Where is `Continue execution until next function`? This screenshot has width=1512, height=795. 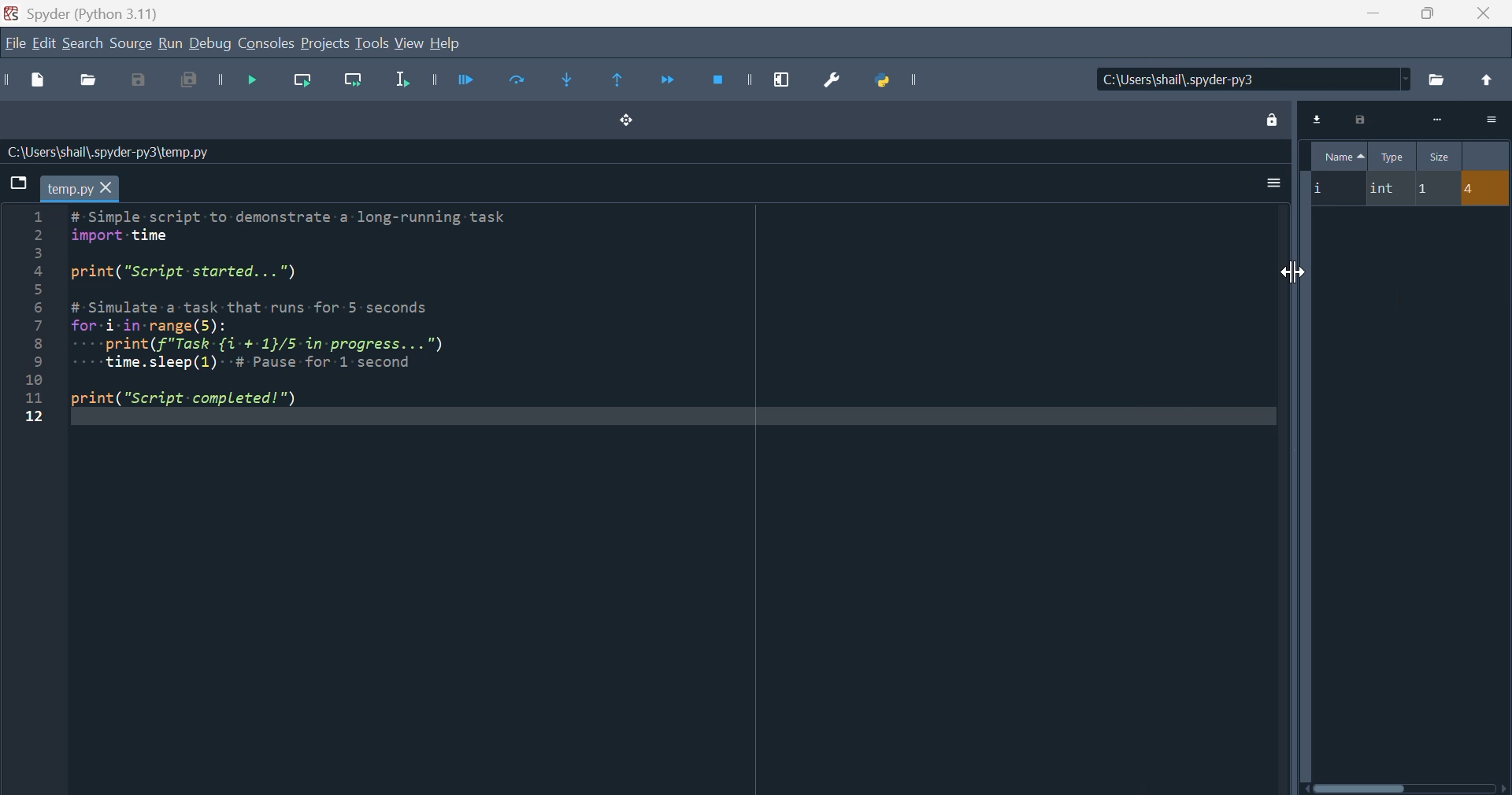
Continue execution until next function is located at coordinates (667, 83).